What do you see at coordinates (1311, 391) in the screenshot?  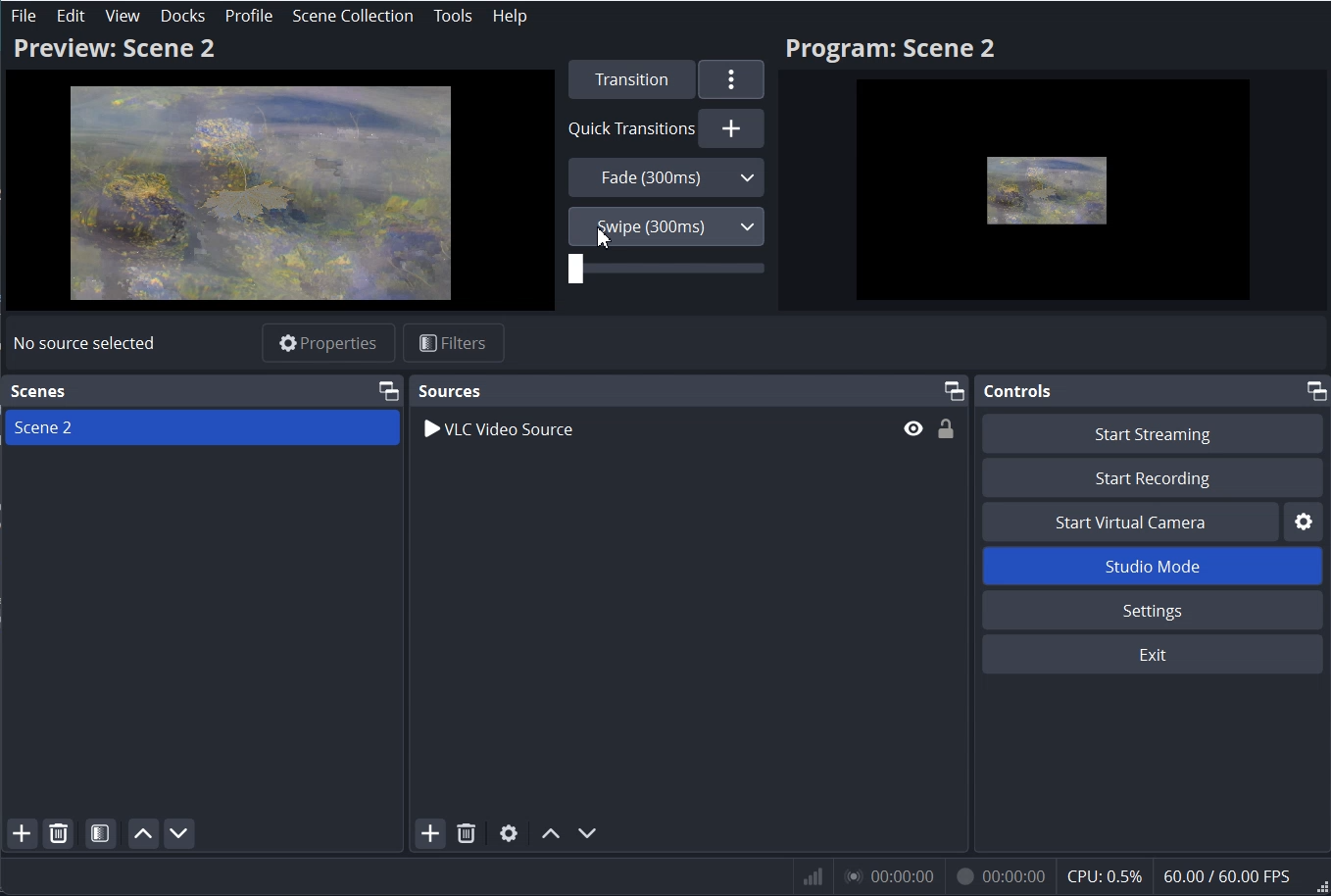 I see `maximise` at bounding box center [1311, 391].